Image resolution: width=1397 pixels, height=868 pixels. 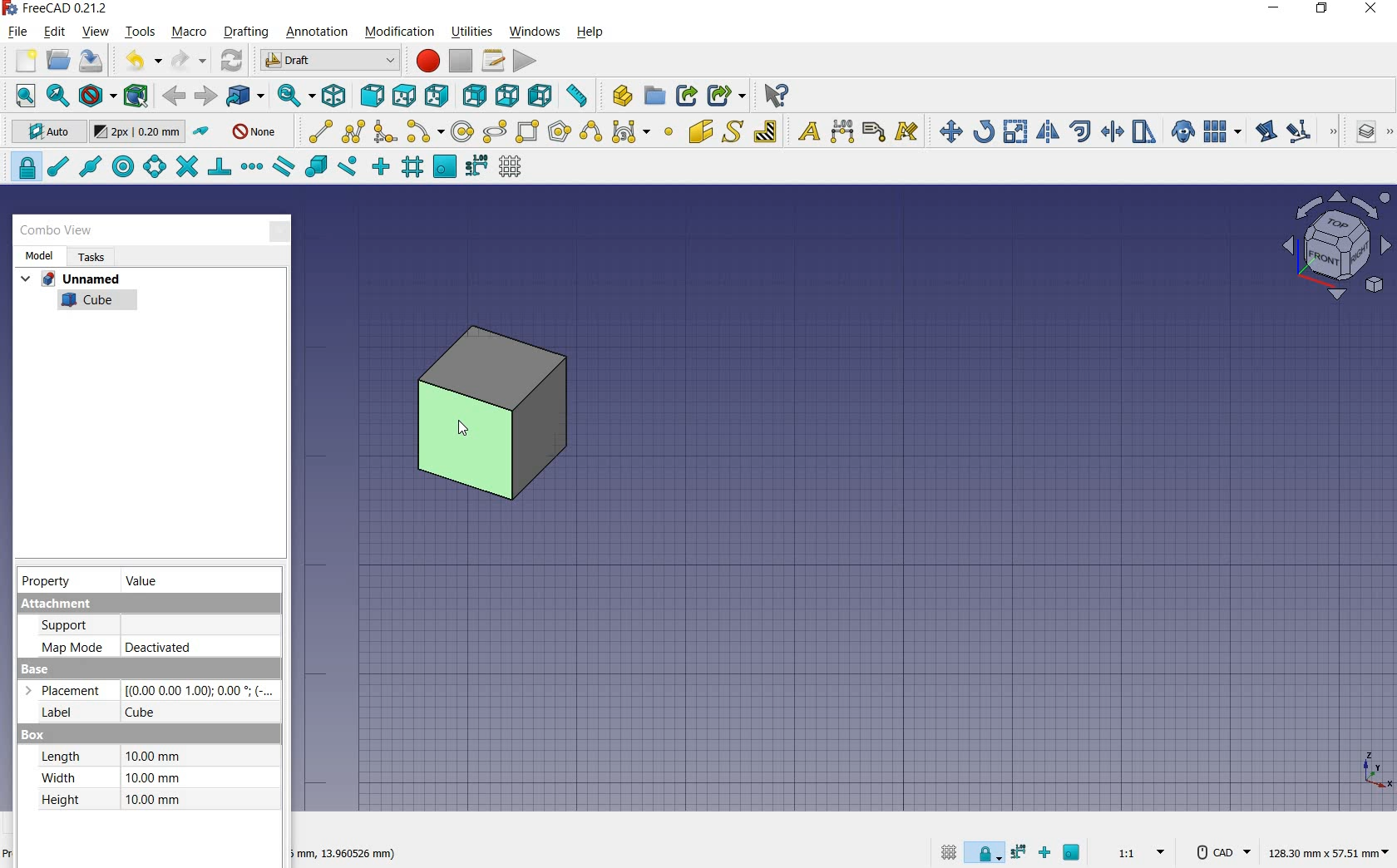 What do you see at coordinates (371, 96) in the screenshot?
I see `front` at bounding box center [371, 96].